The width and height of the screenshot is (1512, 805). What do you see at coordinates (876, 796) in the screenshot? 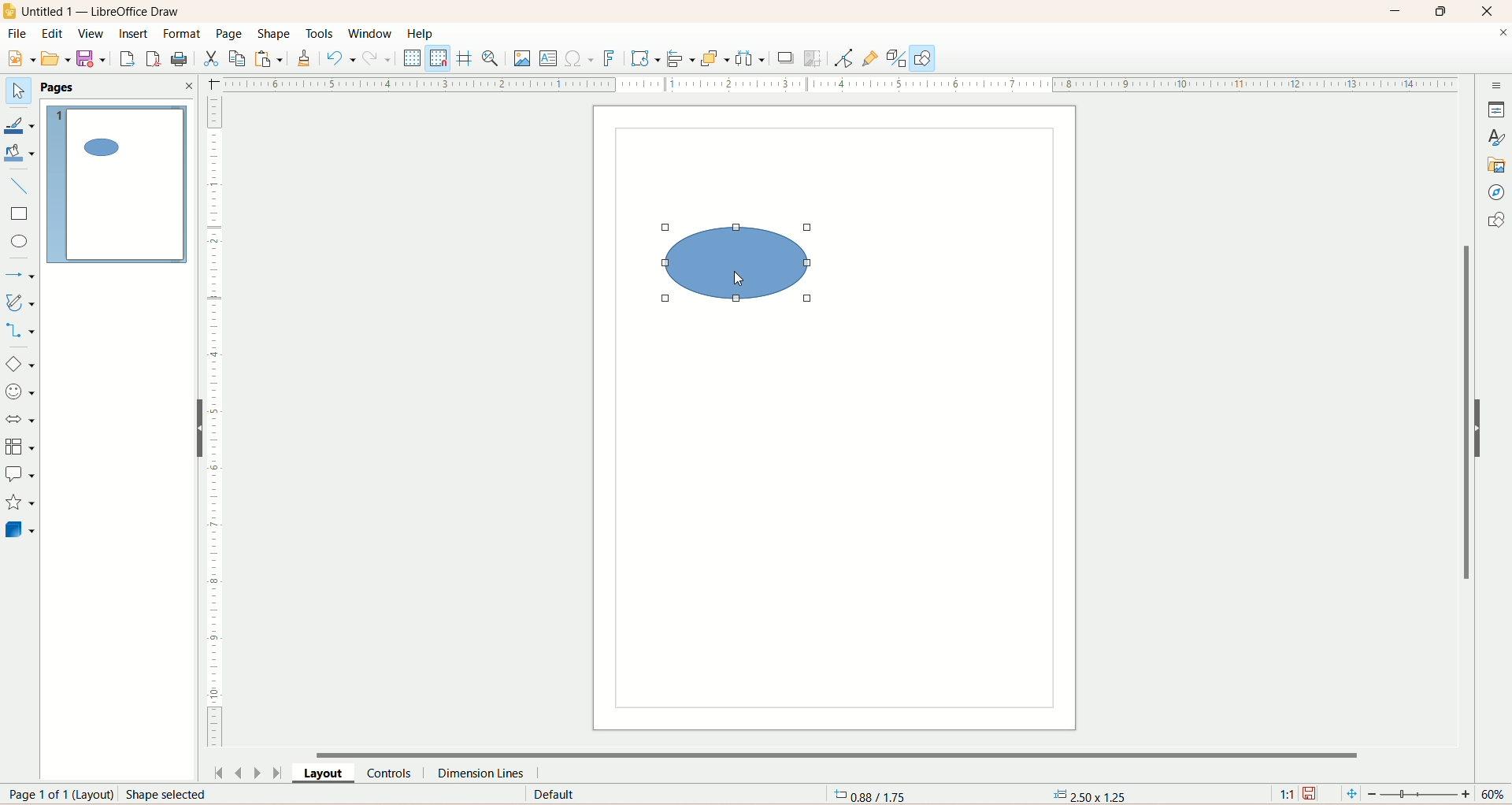
I see `coordinates` at bounding box center [876, 796].